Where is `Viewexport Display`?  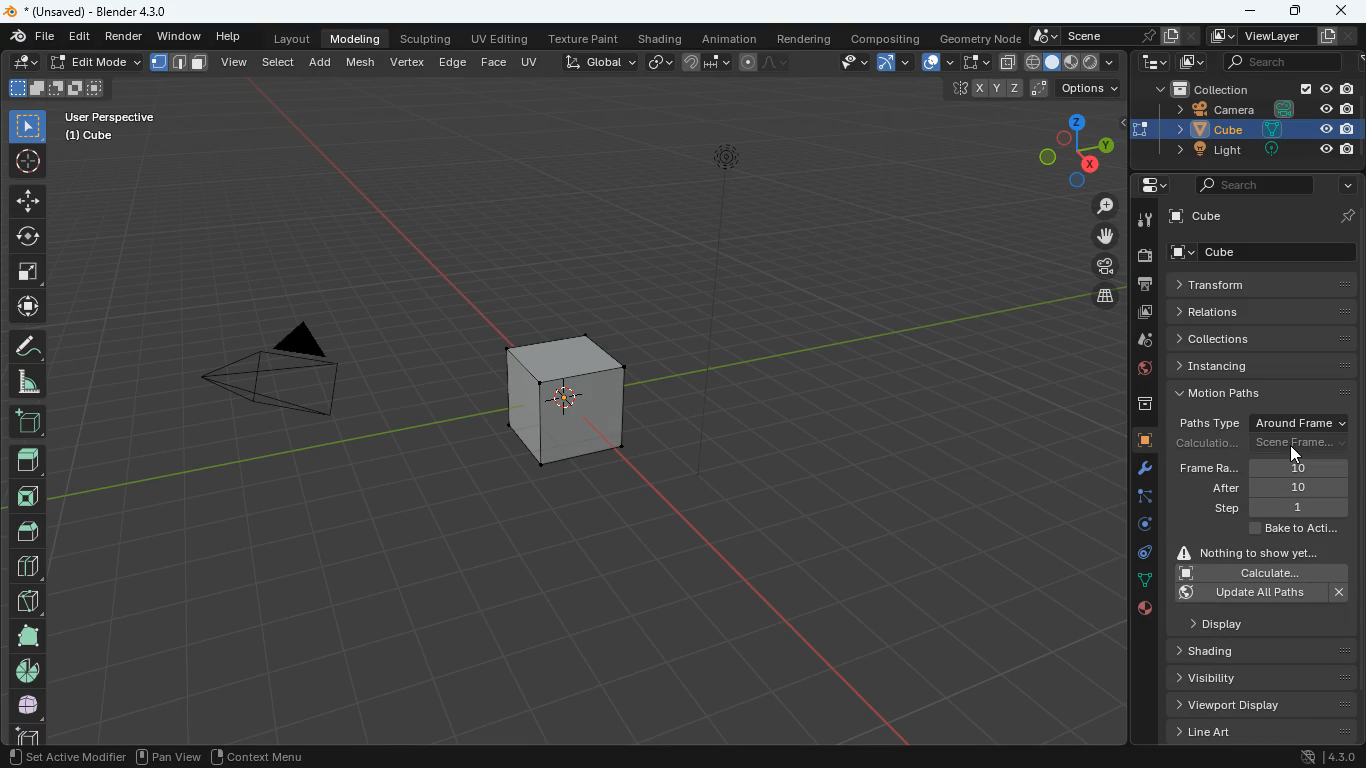
Viewexport Display is located at coordinates (1254, 704).